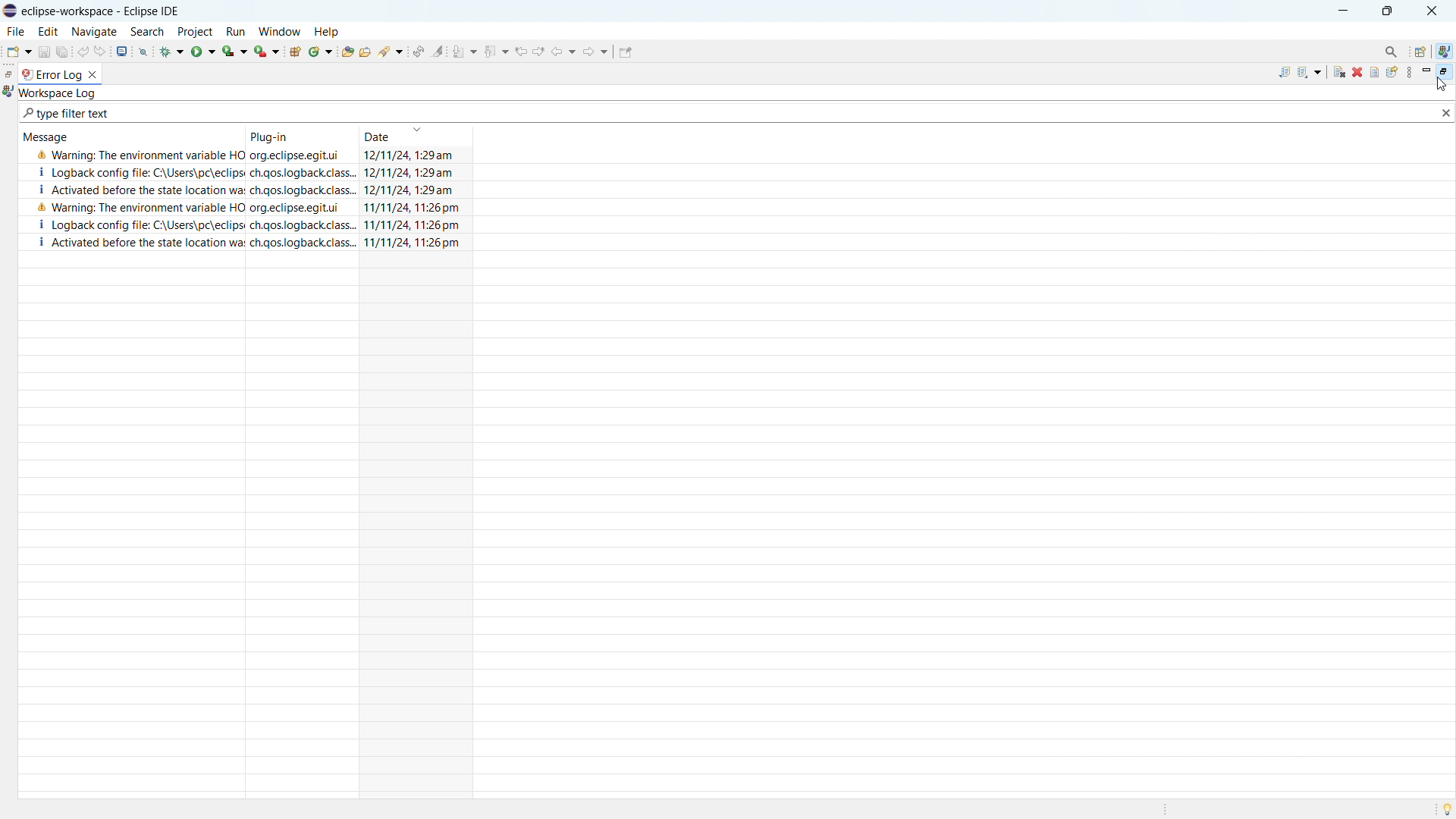  I want to click on import log, so click(1310, 71).